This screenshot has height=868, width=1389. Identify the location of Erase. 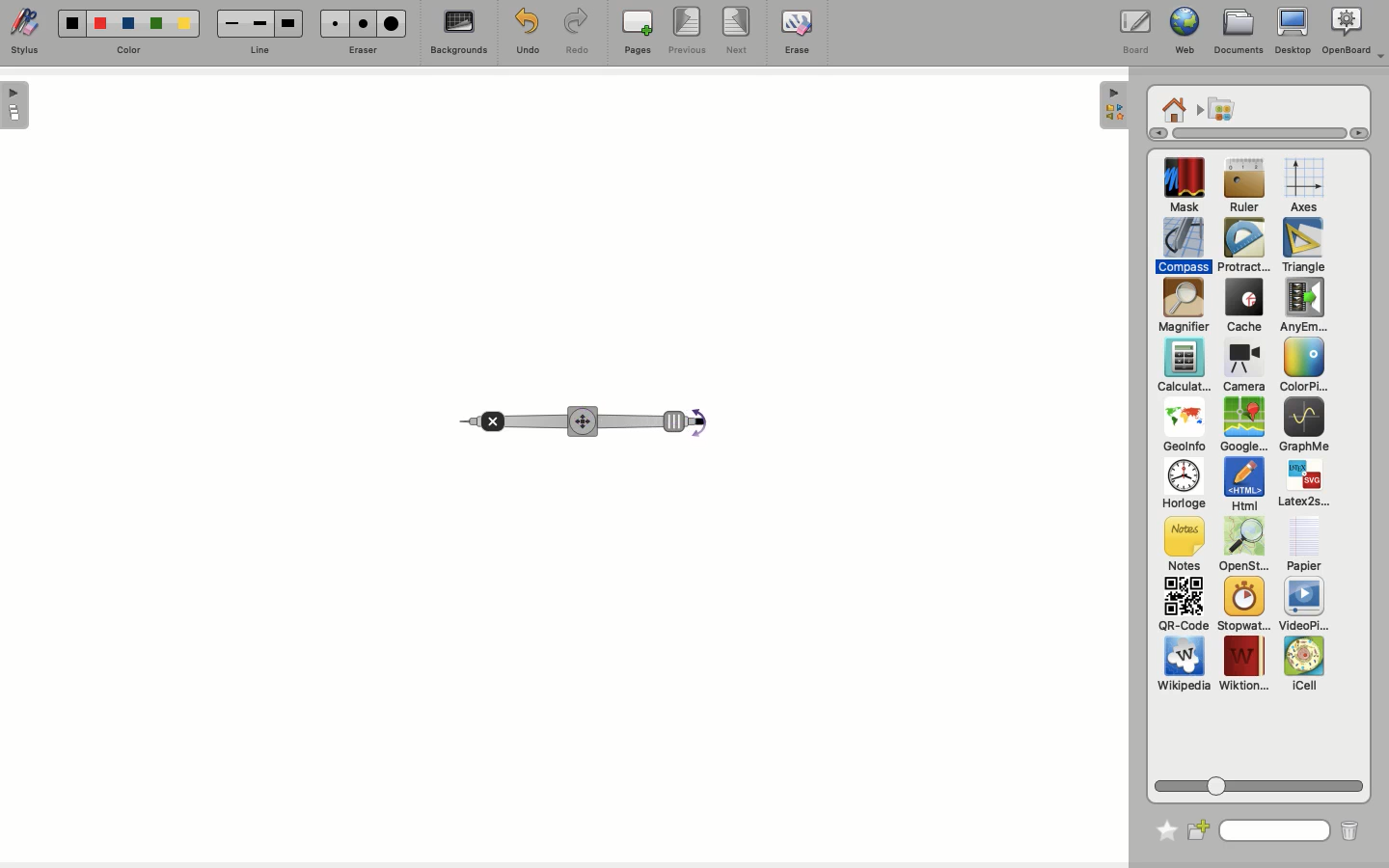
(796, 31).